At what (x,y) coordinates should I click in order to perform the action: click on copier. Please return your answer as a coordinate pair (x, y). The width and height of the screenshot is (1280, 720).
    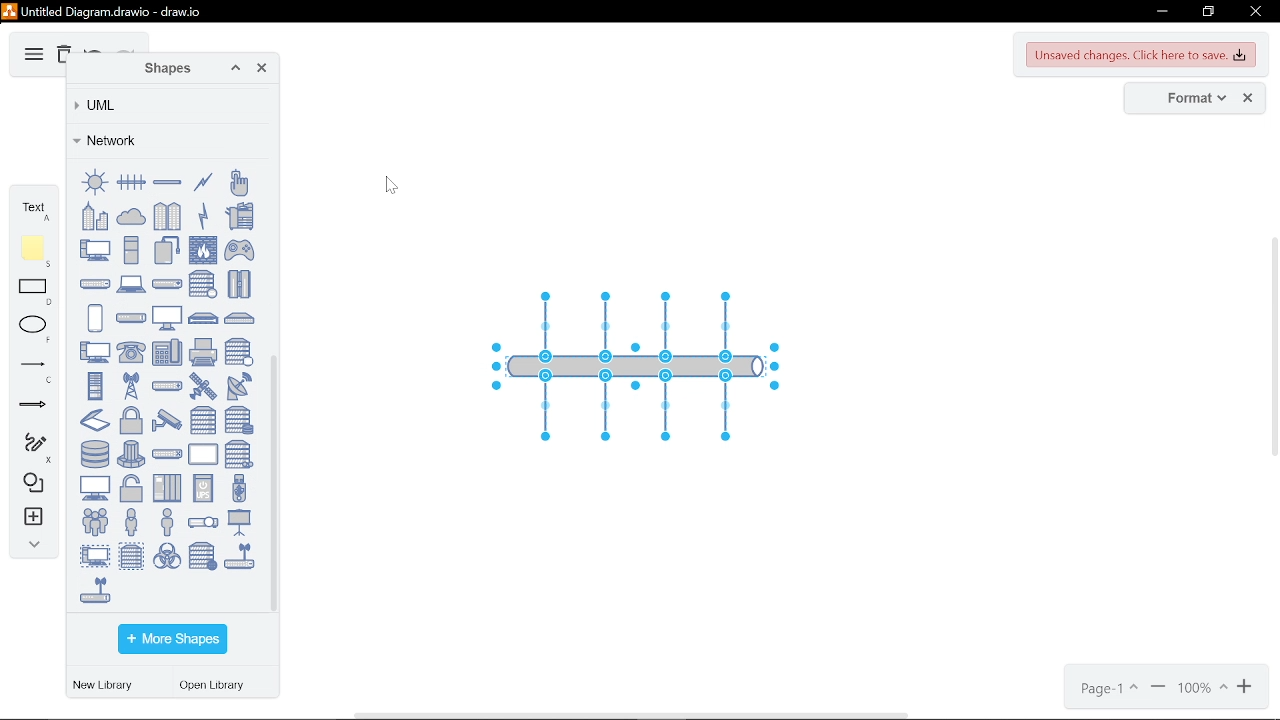
    Looking at the image, I should click on (239, 215).